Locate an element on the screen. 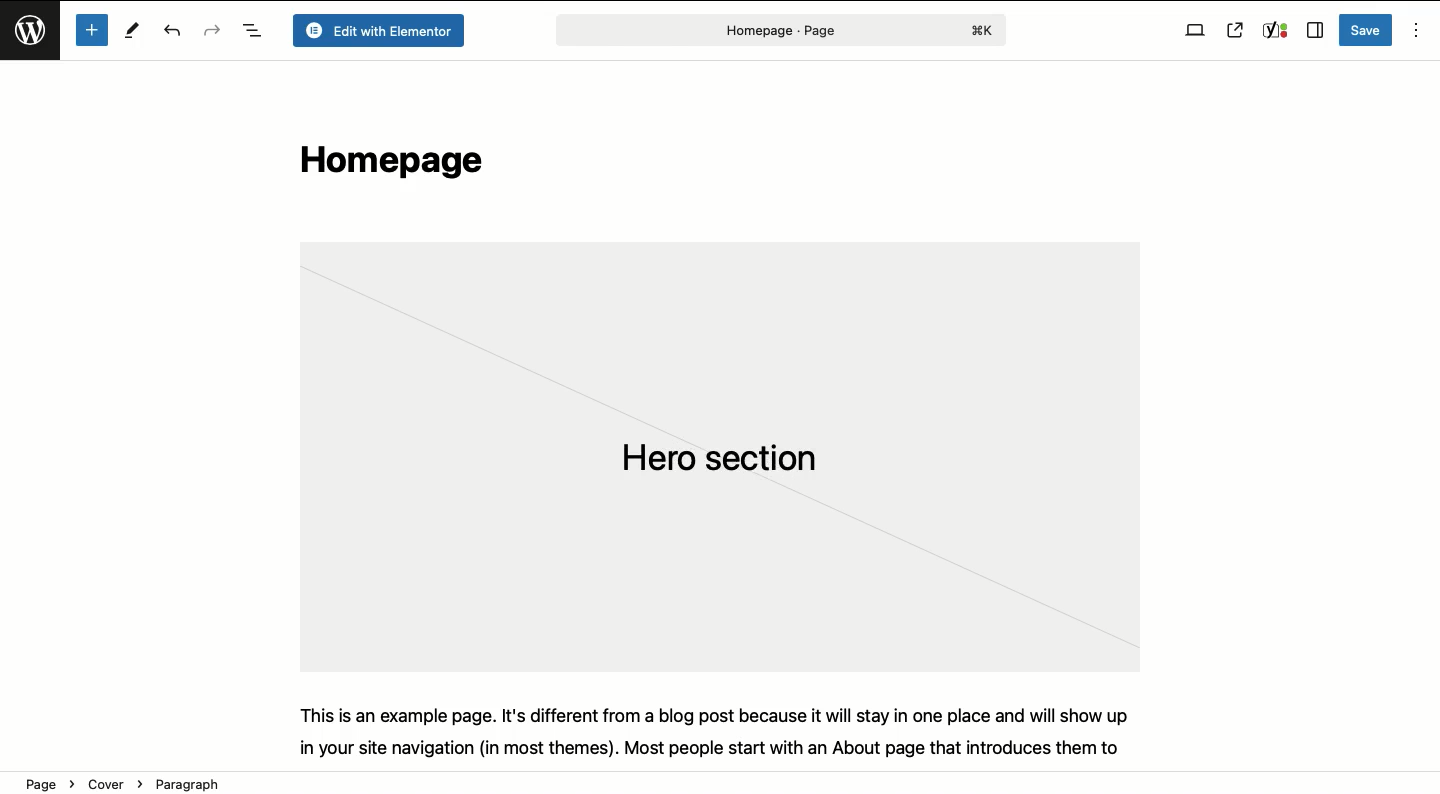 The image size is (1440, 794). Document overview is located at coordinates (252, 32).